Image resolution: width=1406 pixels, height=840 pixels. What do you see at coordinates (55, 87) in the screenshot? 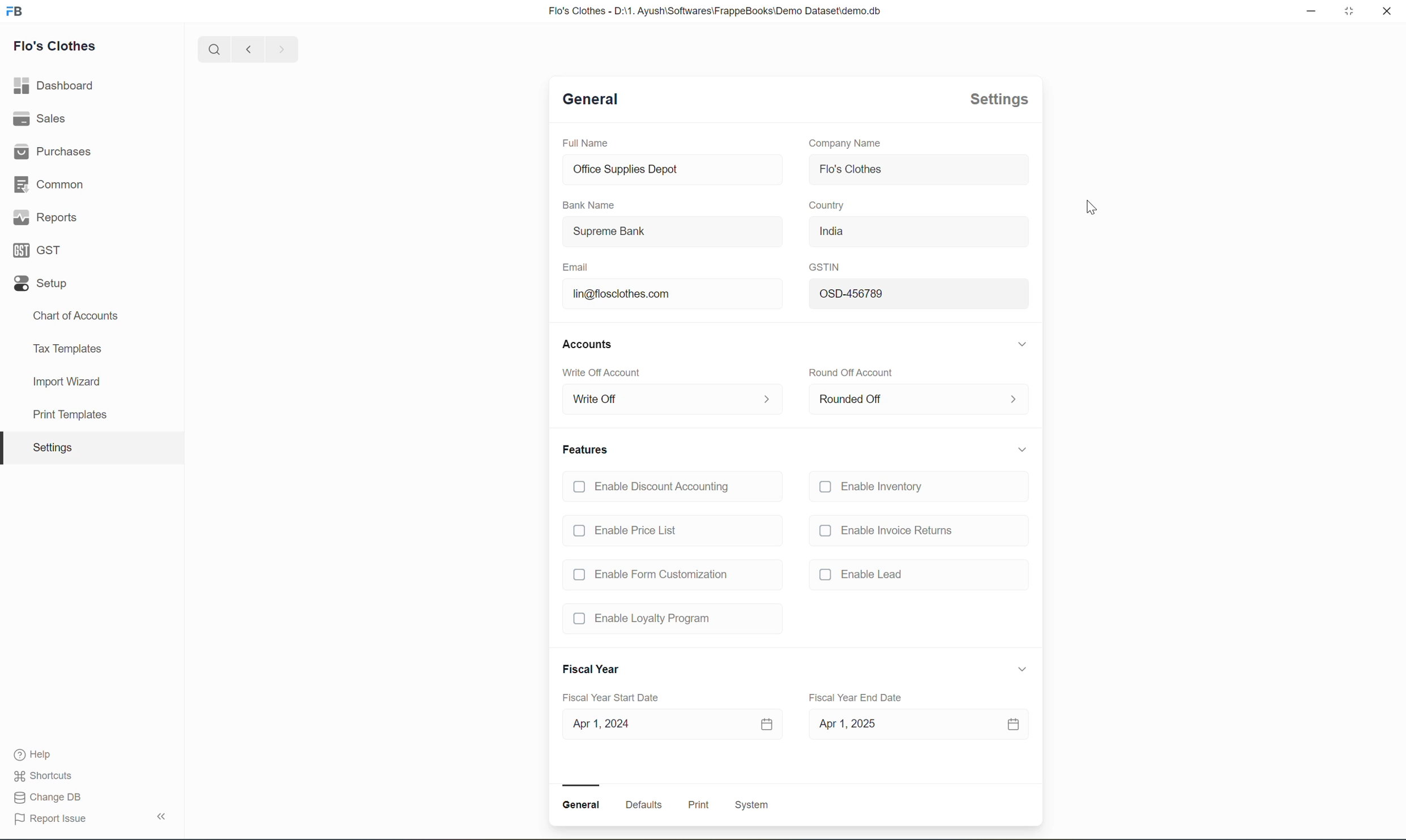
I see `Dashboard` at bounding box center [55, 87].